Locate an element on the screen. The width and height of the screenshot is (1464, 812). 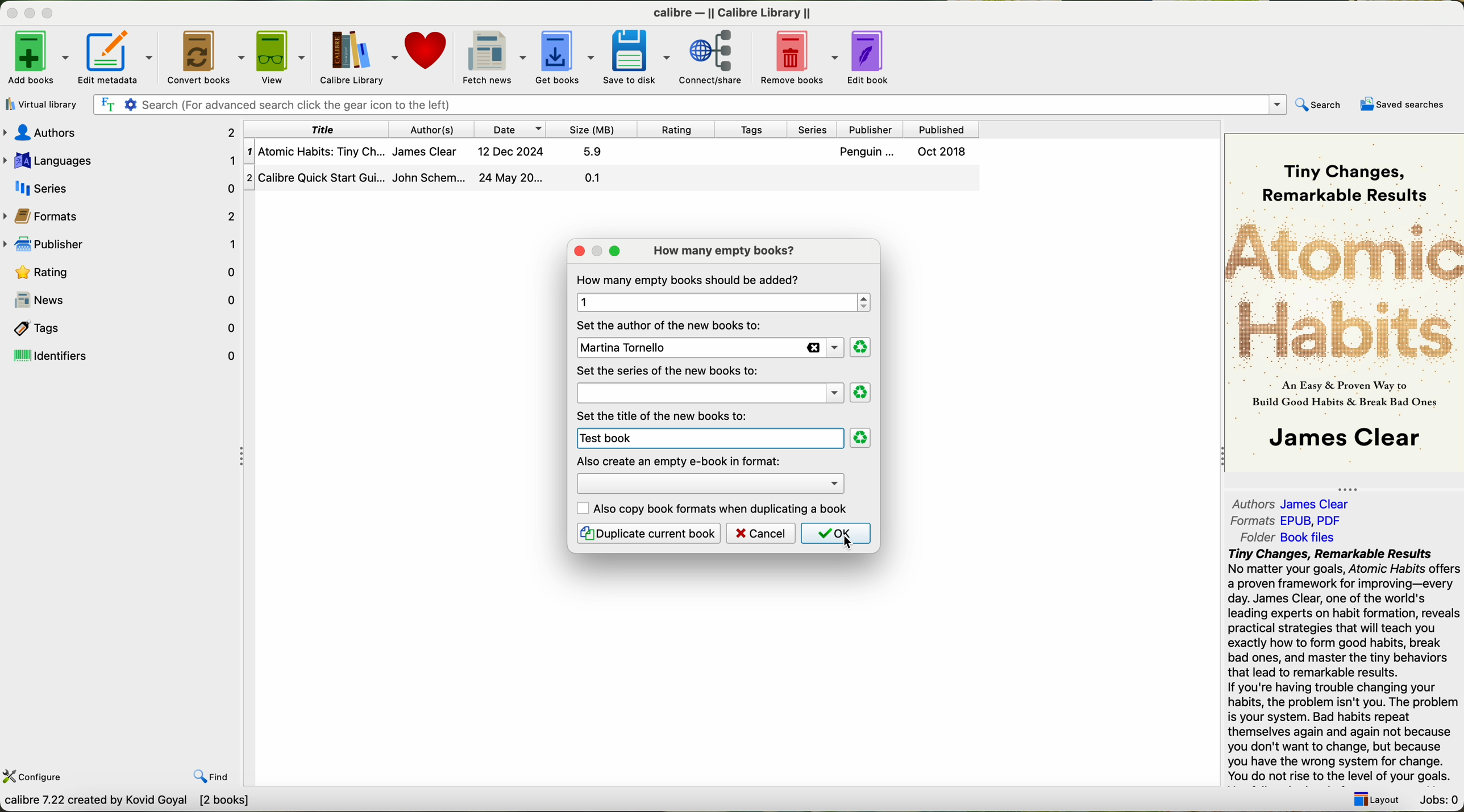
connect/share is located at coordinates (714, 58).